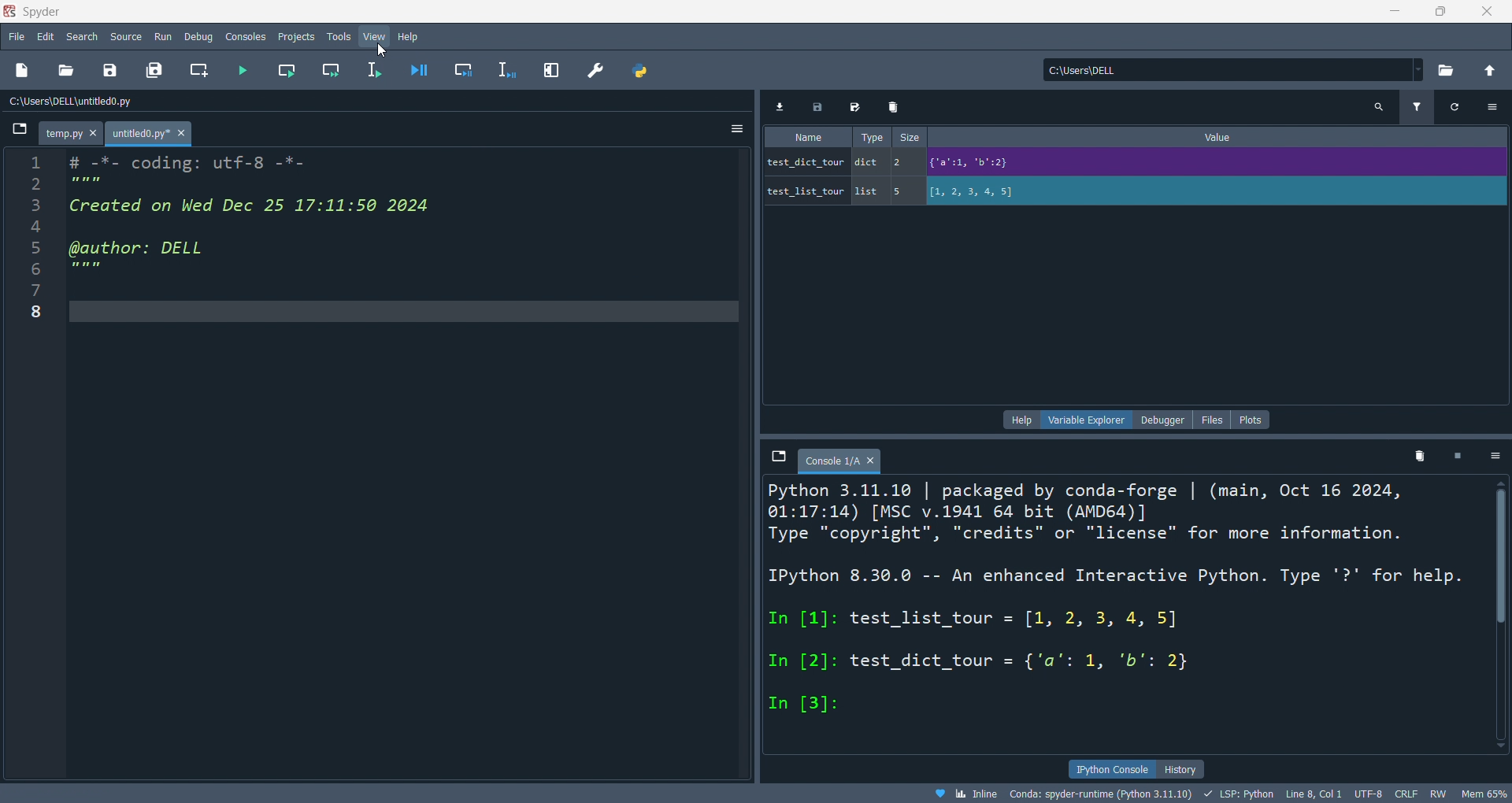 This screenshot has height=803, width=1512. Describe the element at coordinates (595, 71) in the screenshot. I see `preference` at that location.